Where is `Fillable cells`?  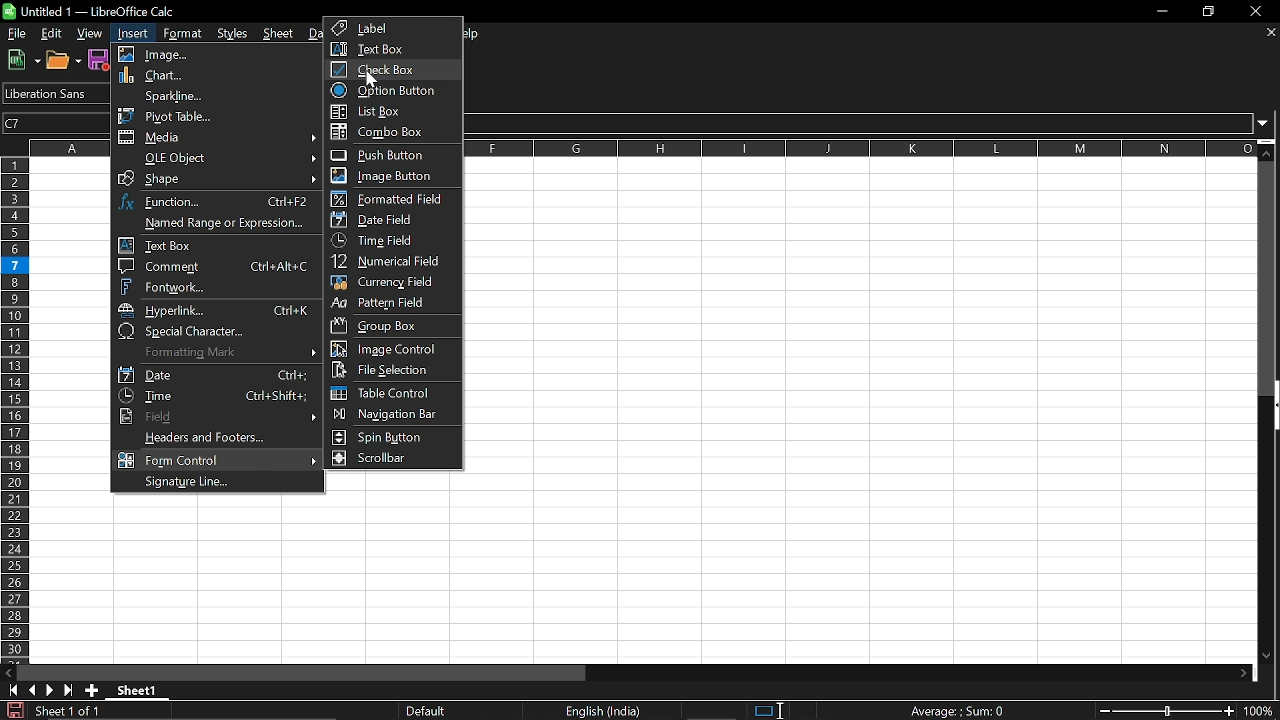
Fillable cells is located at coordinates (683, 580).